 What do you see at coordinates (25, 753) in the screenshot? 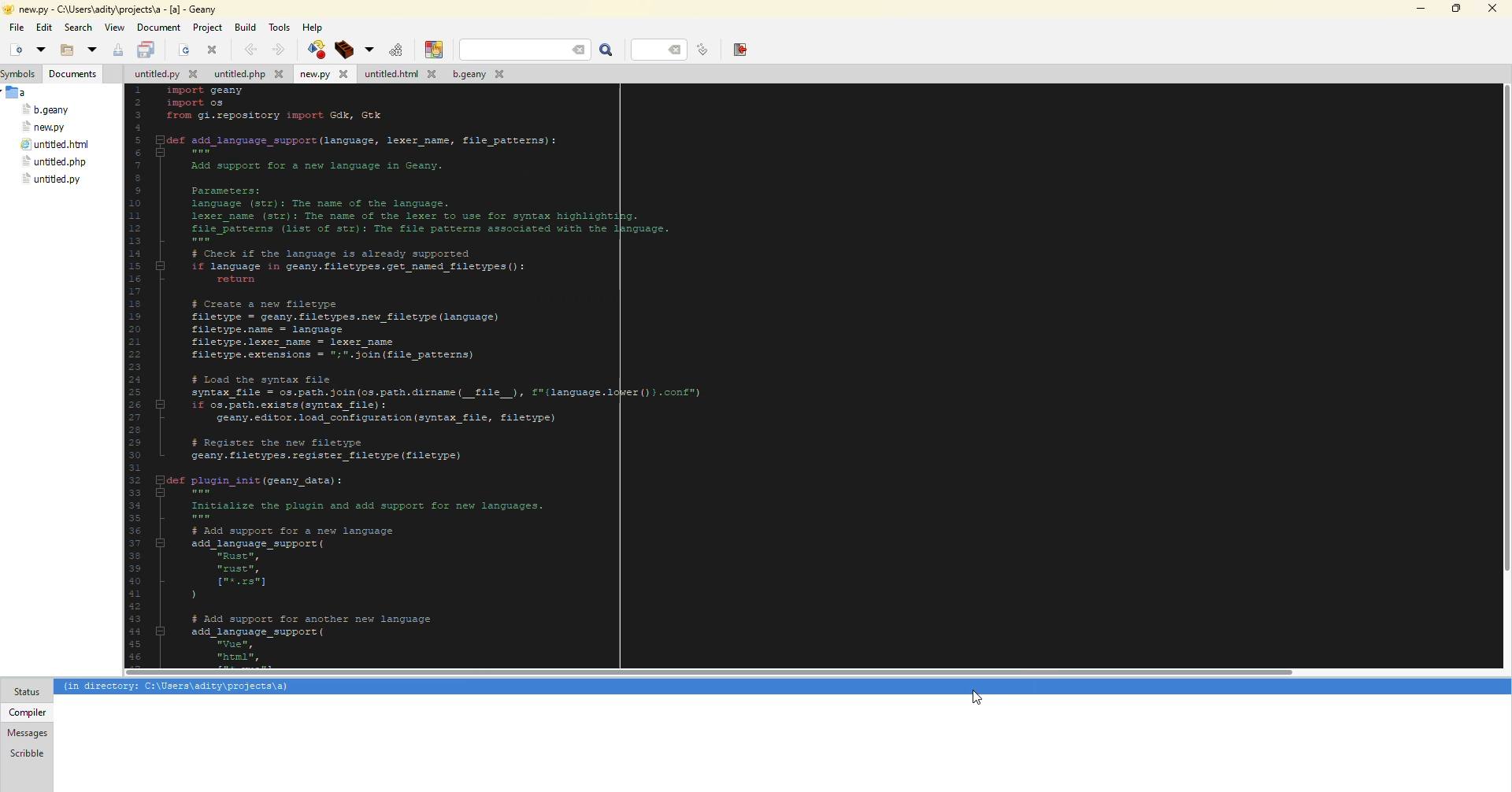
I see `scribble` at bounding box center [25, 753].